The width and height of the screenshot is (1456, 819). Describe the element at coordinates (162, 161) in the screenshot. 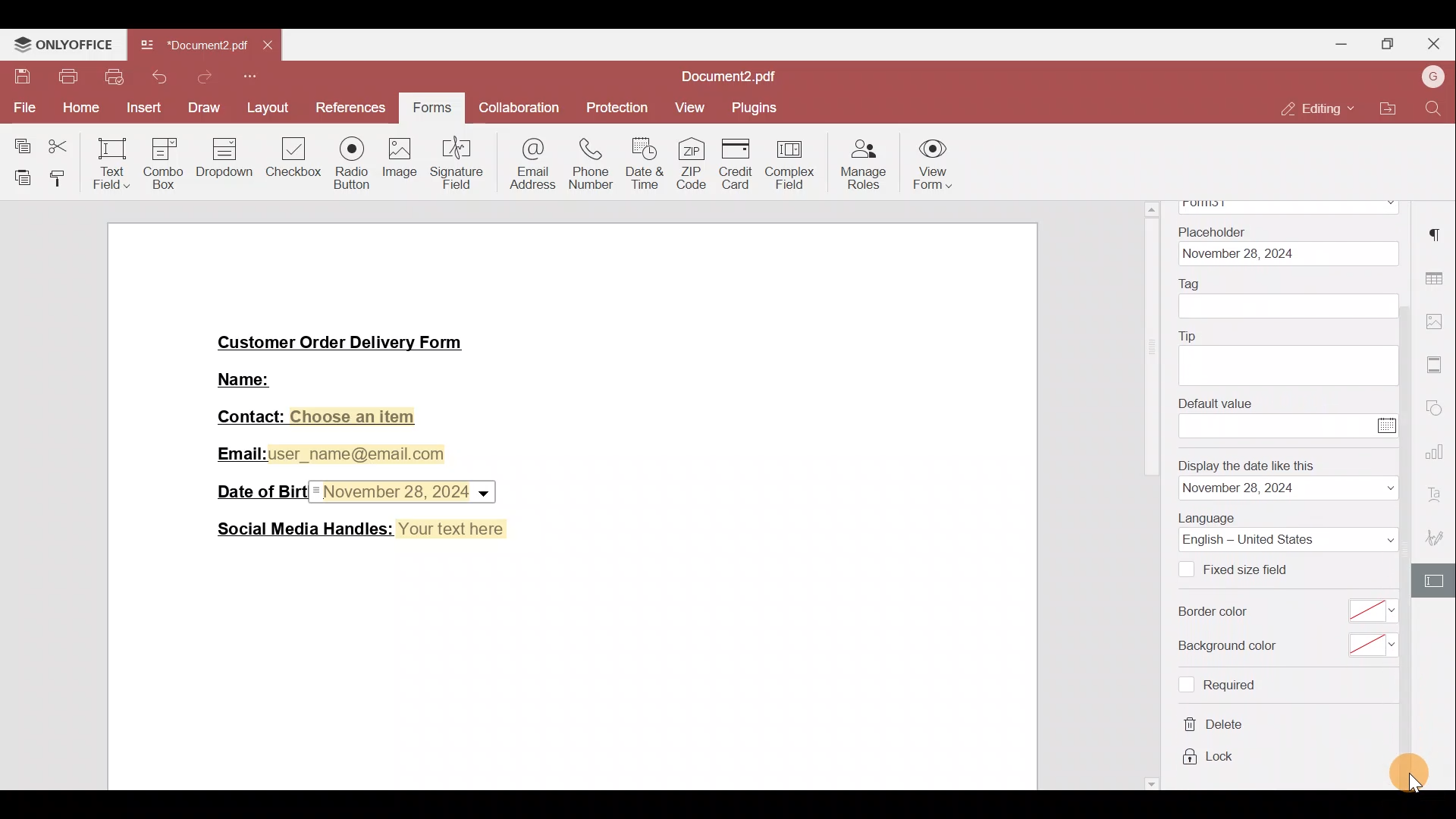

I see `Combo box` at that location.